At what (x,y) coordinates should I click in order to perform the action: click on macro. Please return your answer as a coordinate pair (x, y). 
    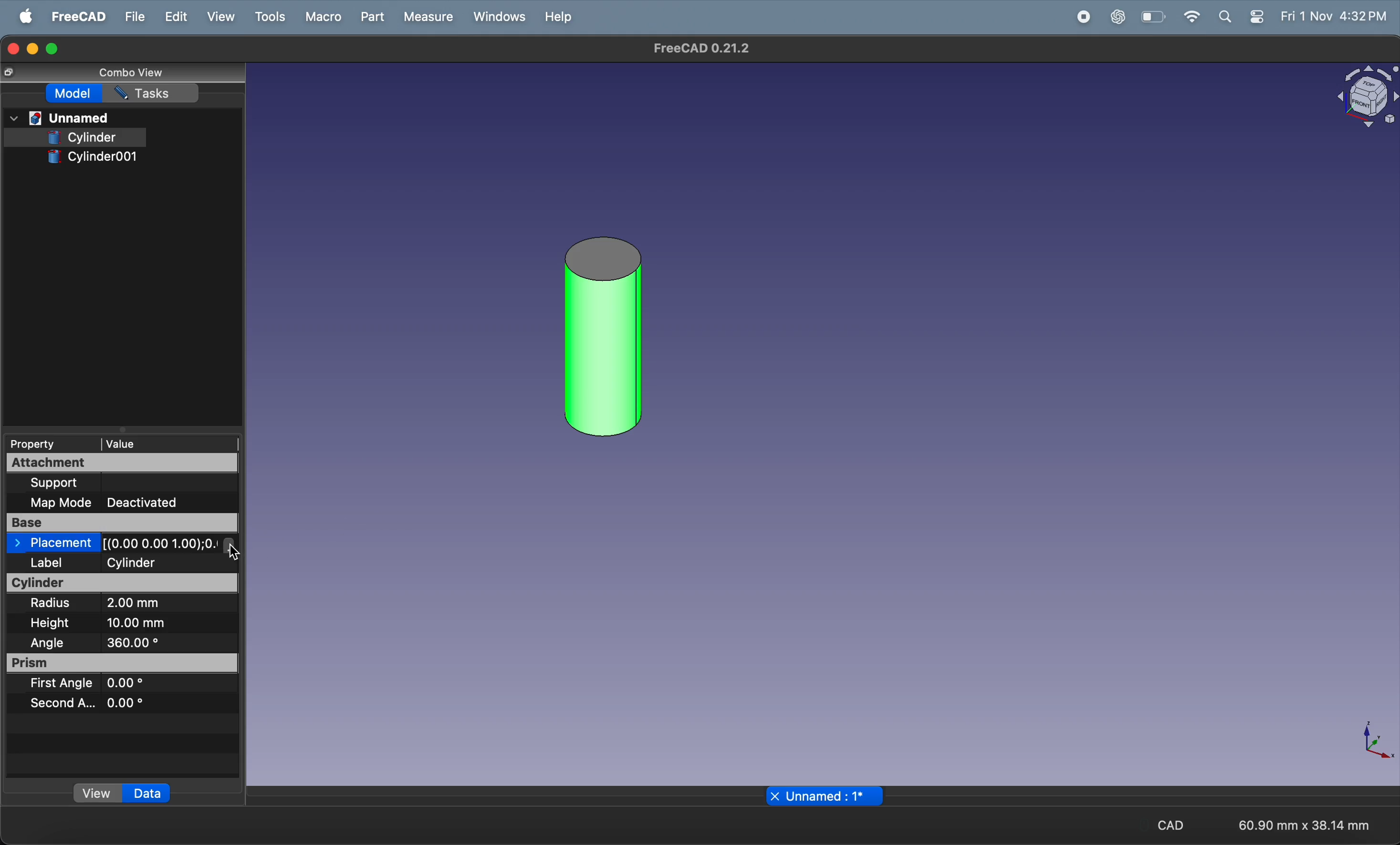
    Looking at the image, I should click on (323, 18).